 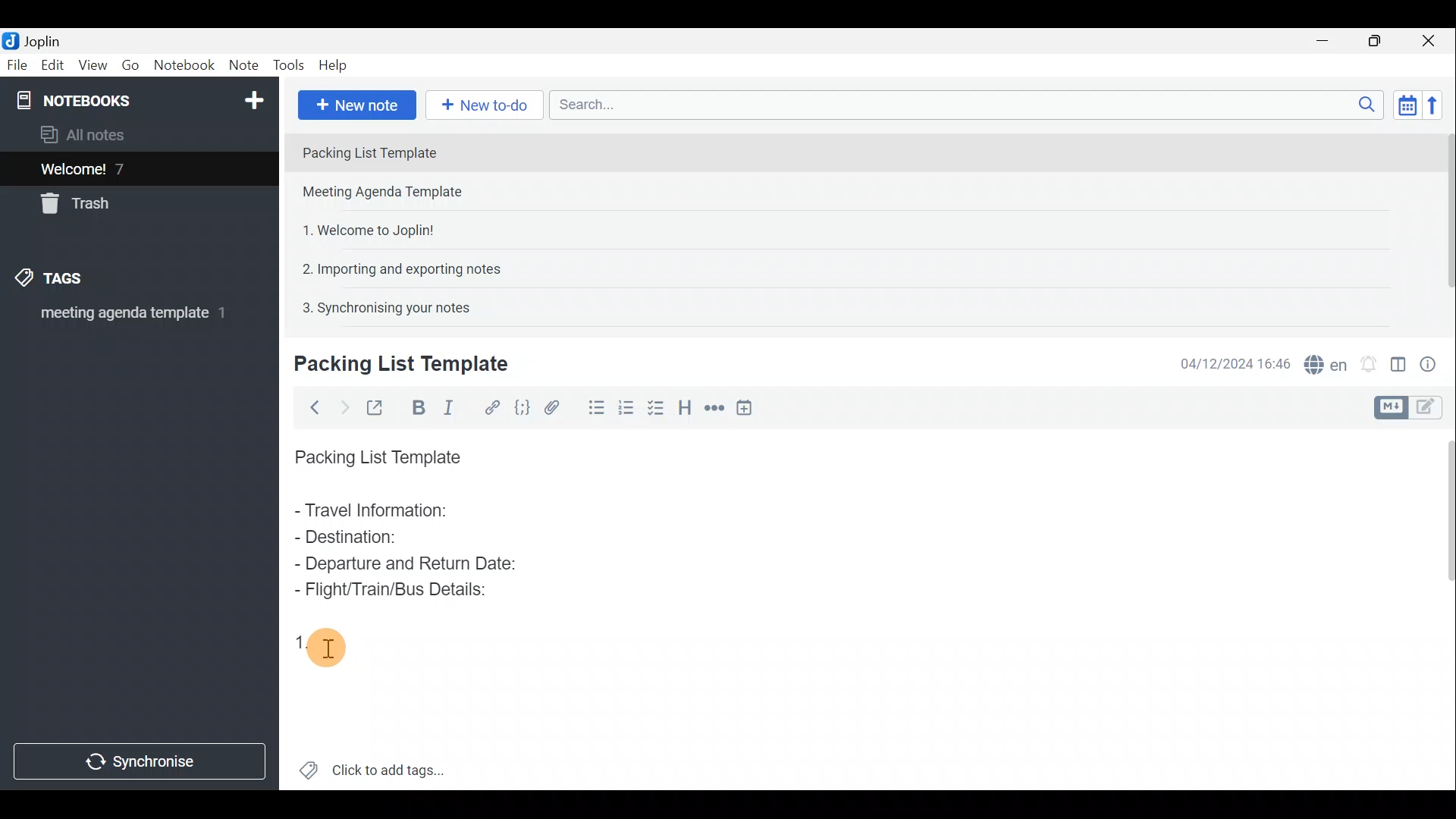 I want to click on Scroll bar, so click(x=1442, y=607).